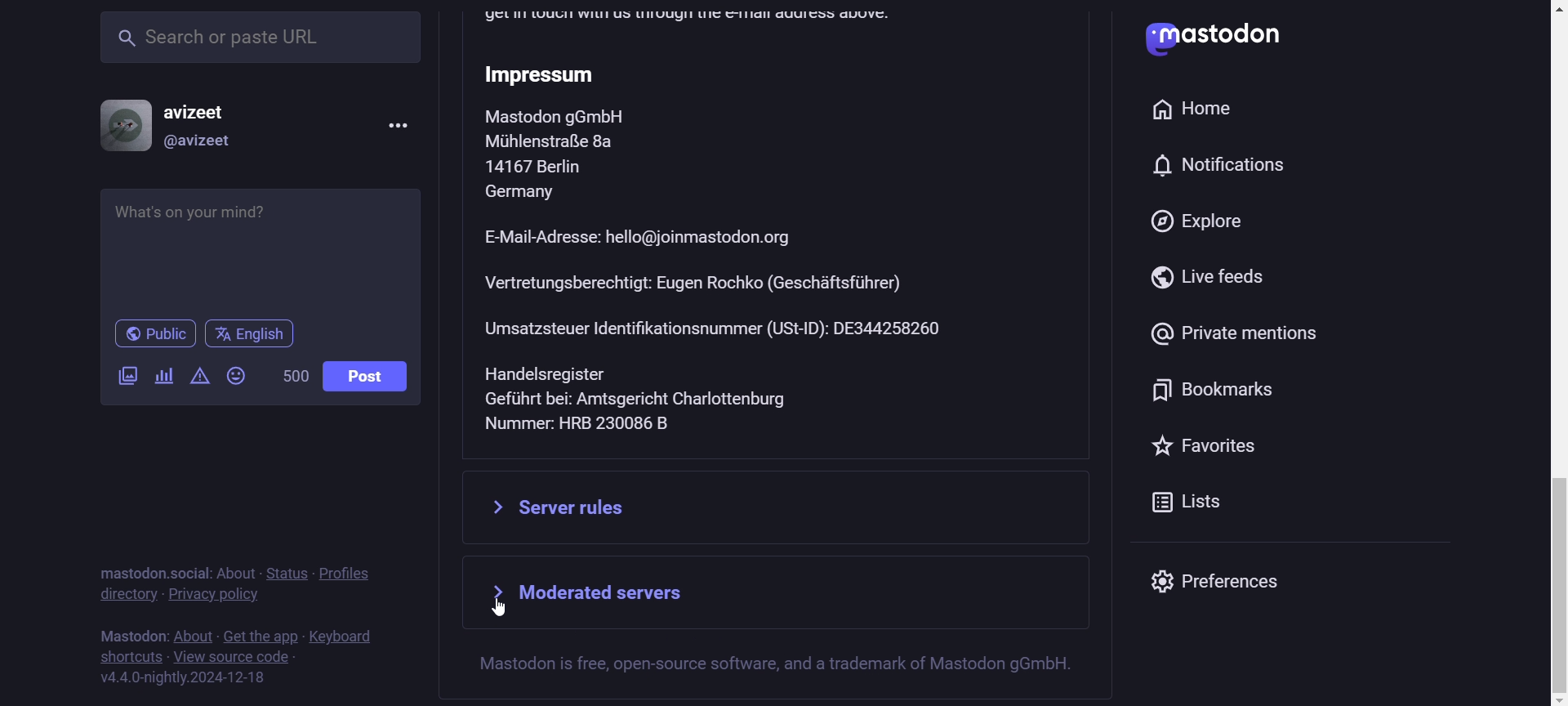 The image size is (1568, 706). I want to click on username, so click(204, 107).